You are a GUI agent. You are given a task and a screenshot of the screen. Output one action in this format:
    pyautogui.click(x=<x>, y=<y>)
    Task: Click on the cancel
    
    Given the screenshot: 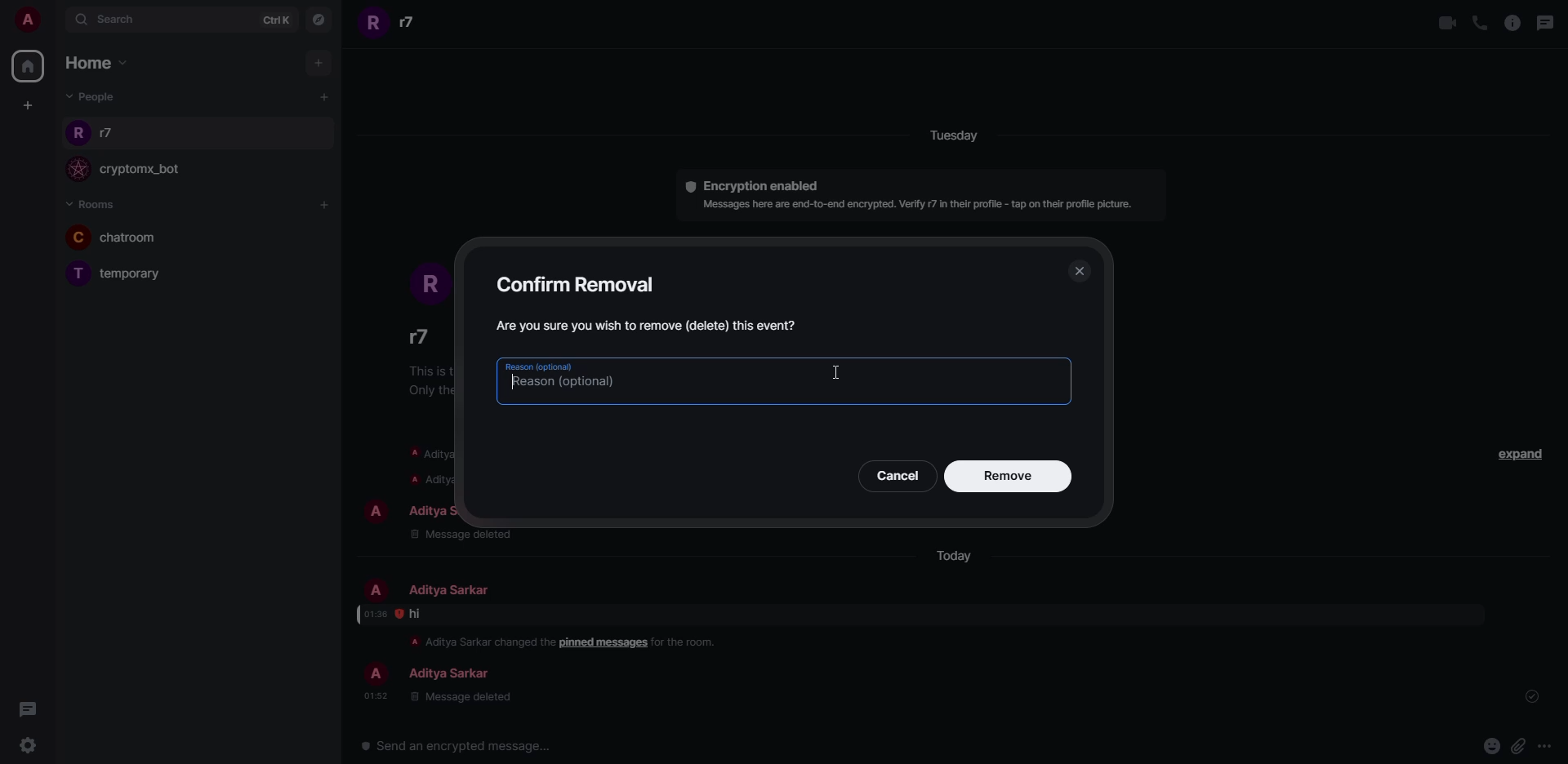 What is the action you would take?
    pyautogui.click(x=898, y=474)
    